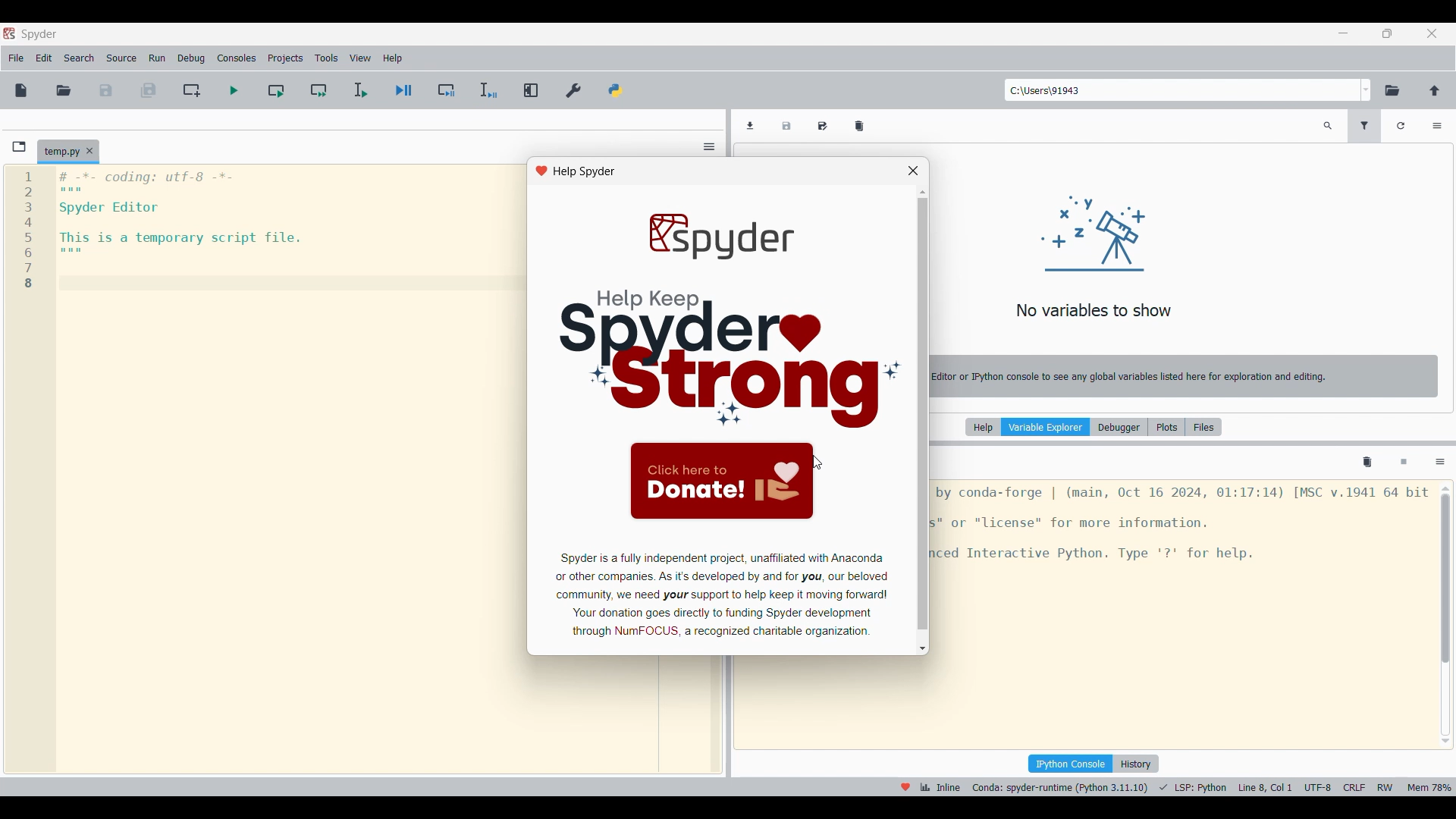 The width and height of the screenshot is (1456, 819). What do you see at coordinates (1388, 788) in the screenshot?
I see `rw` at bounding box center [1388, 788].